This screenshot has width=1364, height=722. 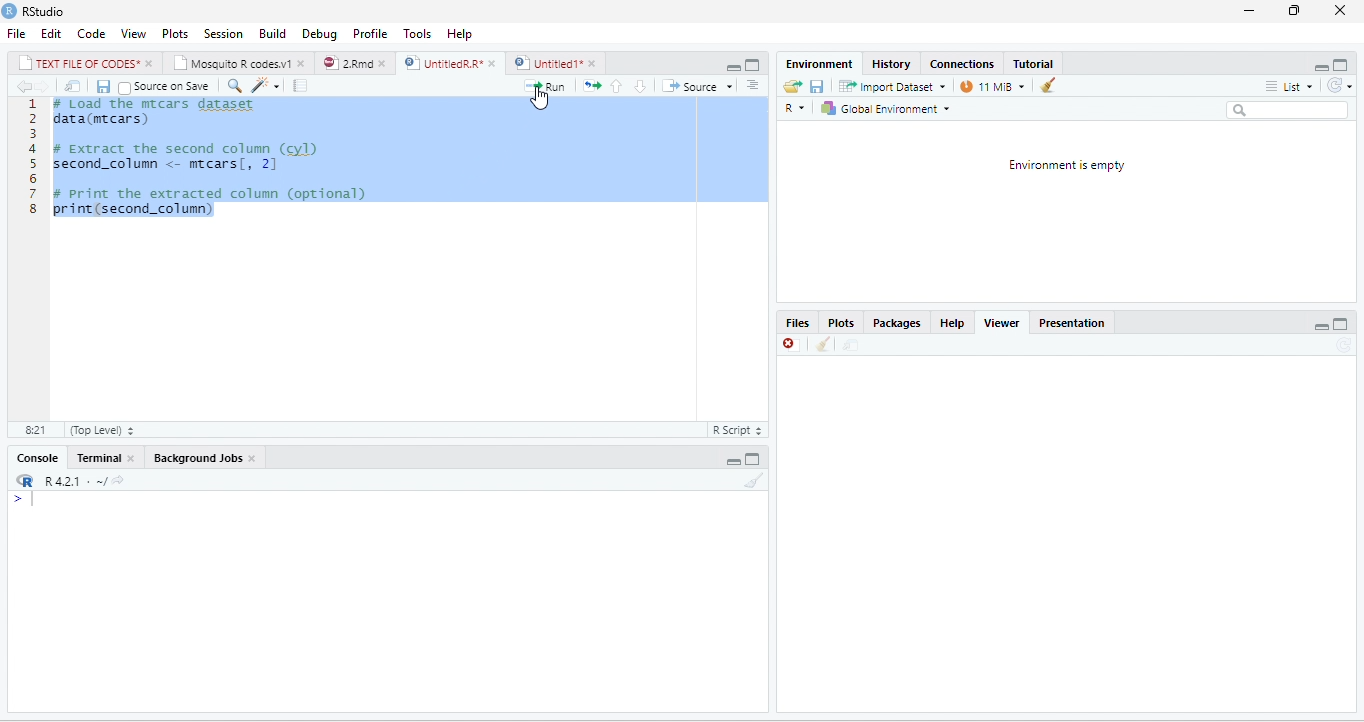 What do you see at coordinates (384, 602) in the screenshot?
I see `display` at bounding box center [384, 602].